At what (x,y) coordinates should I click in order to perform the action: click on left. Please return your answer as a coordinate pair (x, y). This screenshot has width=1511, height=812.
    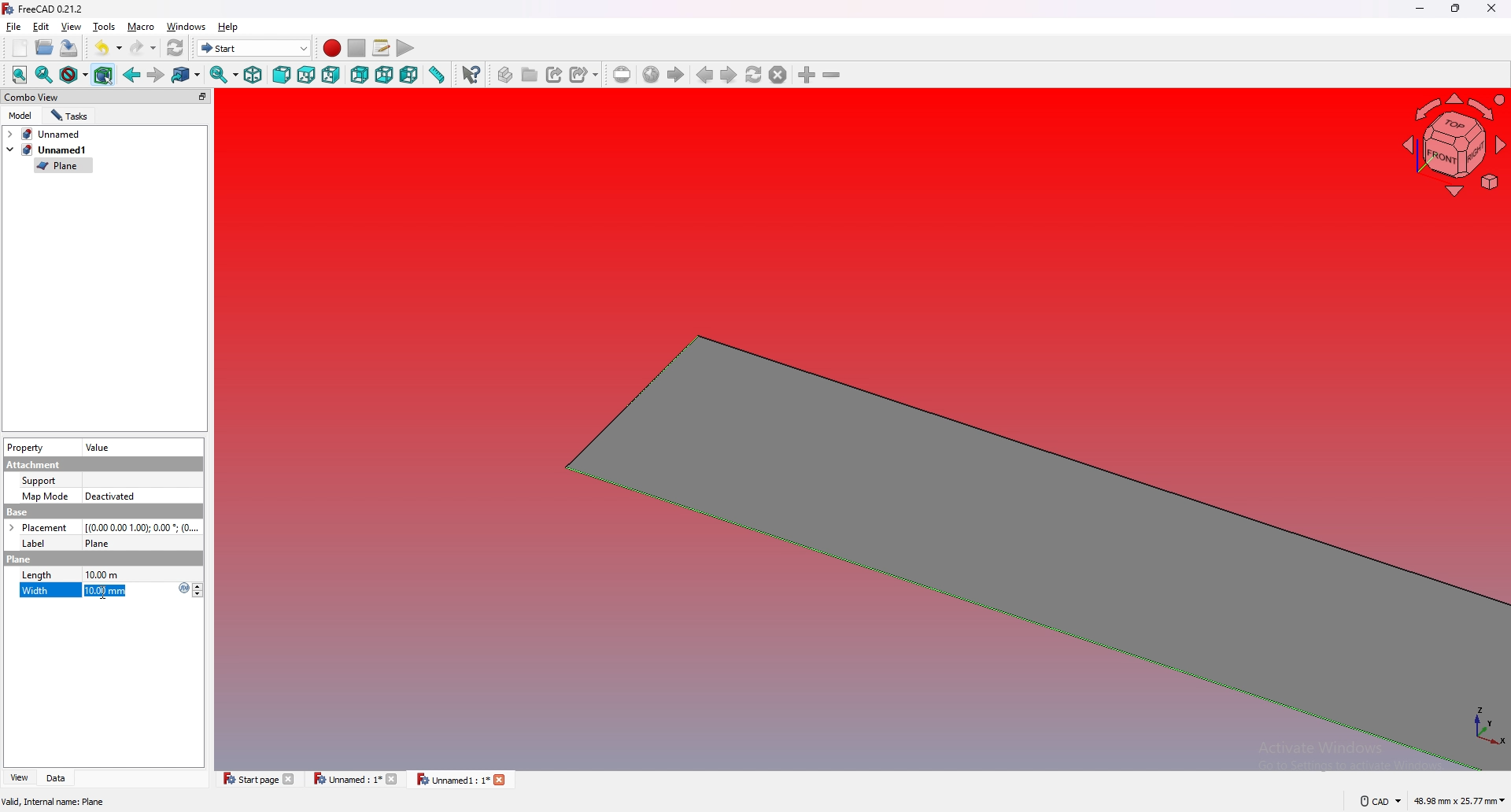
    Looking at the image, I should click on (409, 76).